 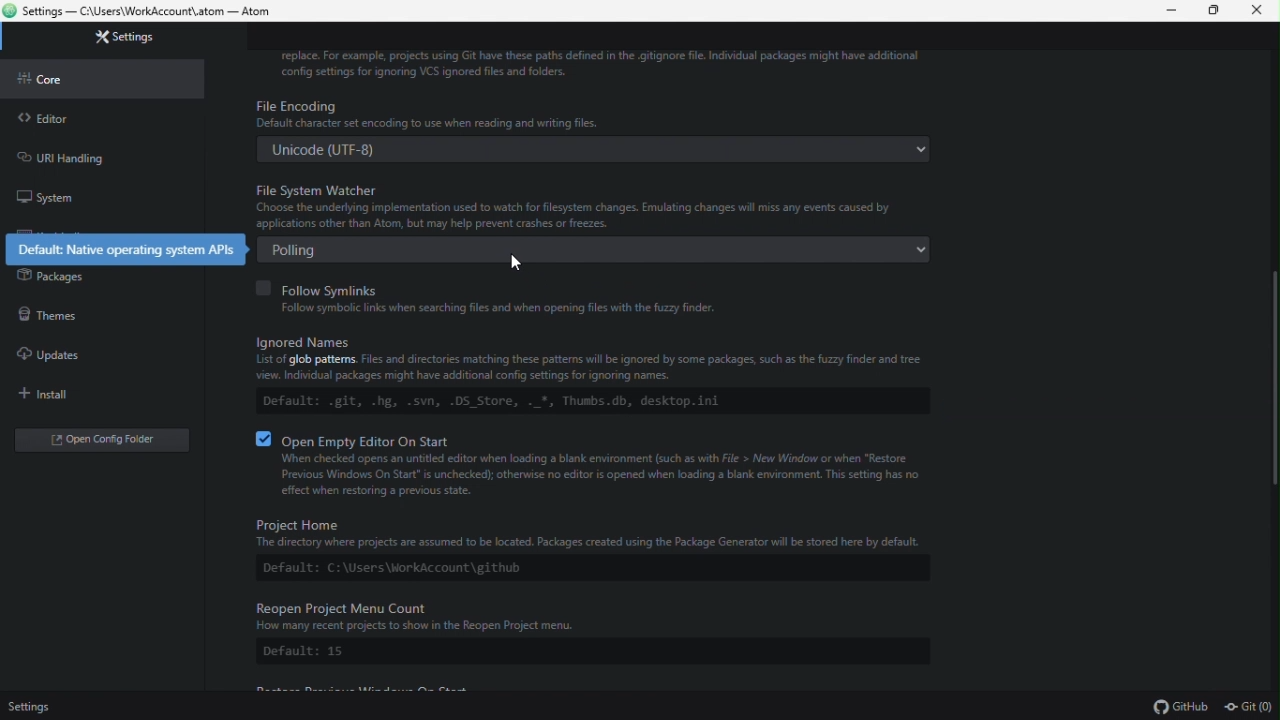 What do you see at coordinates (397, 570) in the screenshot?
I see `Default: C:\Users\WorkAccount\github` at bounding box center [397, 570].